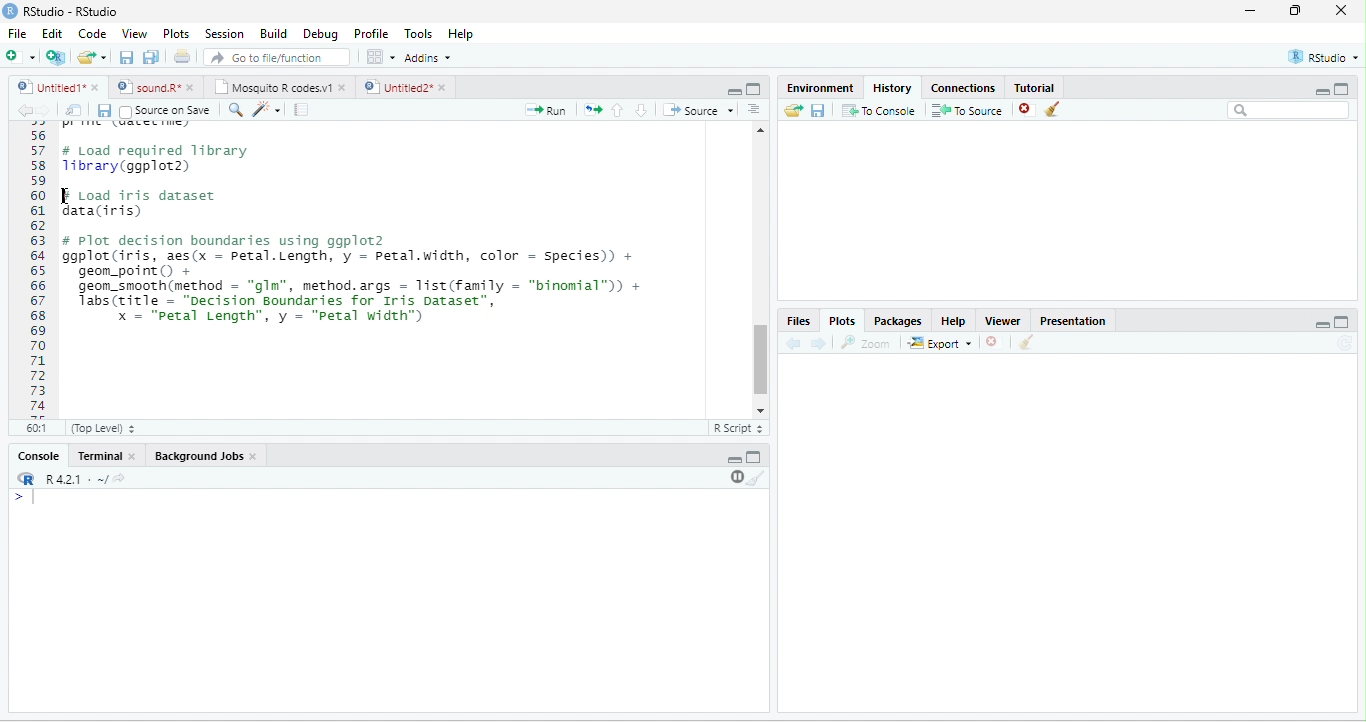 The width and height of the screenshot is (1366, 722). Describe the element at coordinates (150, 57) in the screenshot. I see `save all` at that location.